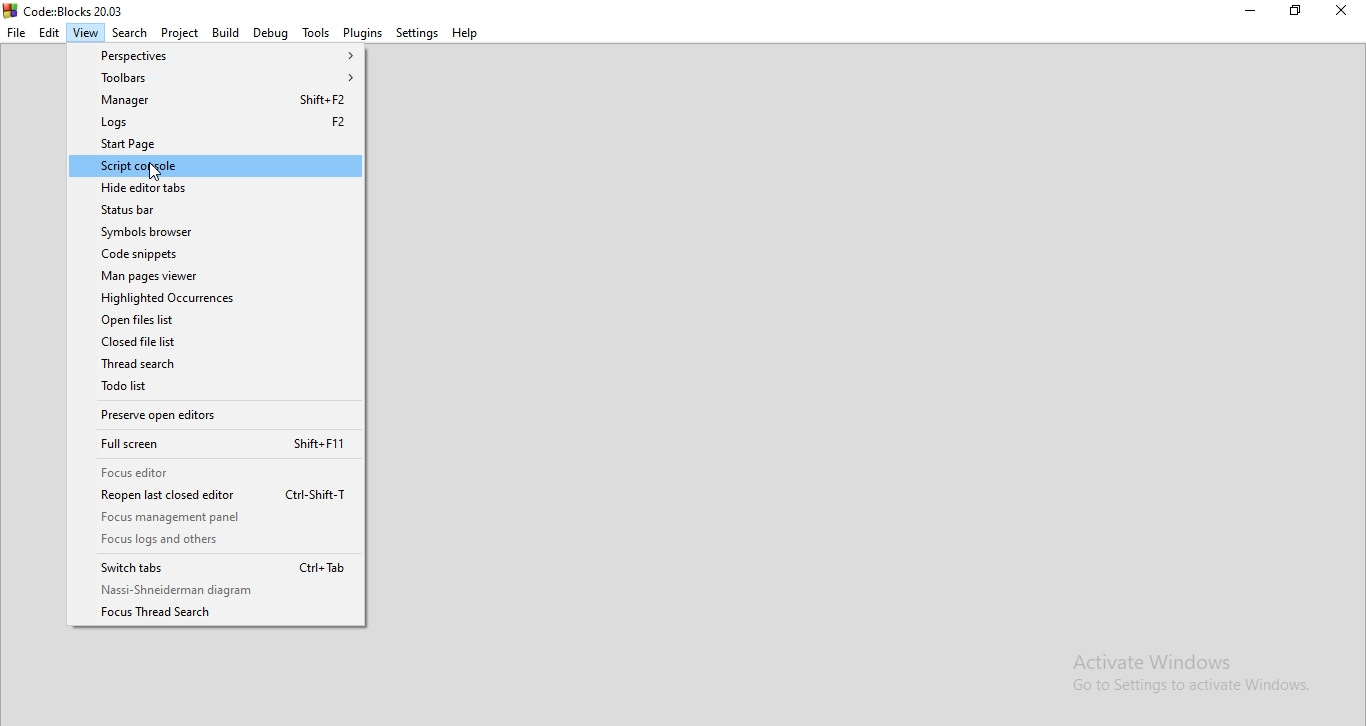 This screenshot has width=1366, height=726. What do you see at coordinates (215, 188) in the screenshot?
I see `Hide editor tabs` at bounding box center [215, 188].